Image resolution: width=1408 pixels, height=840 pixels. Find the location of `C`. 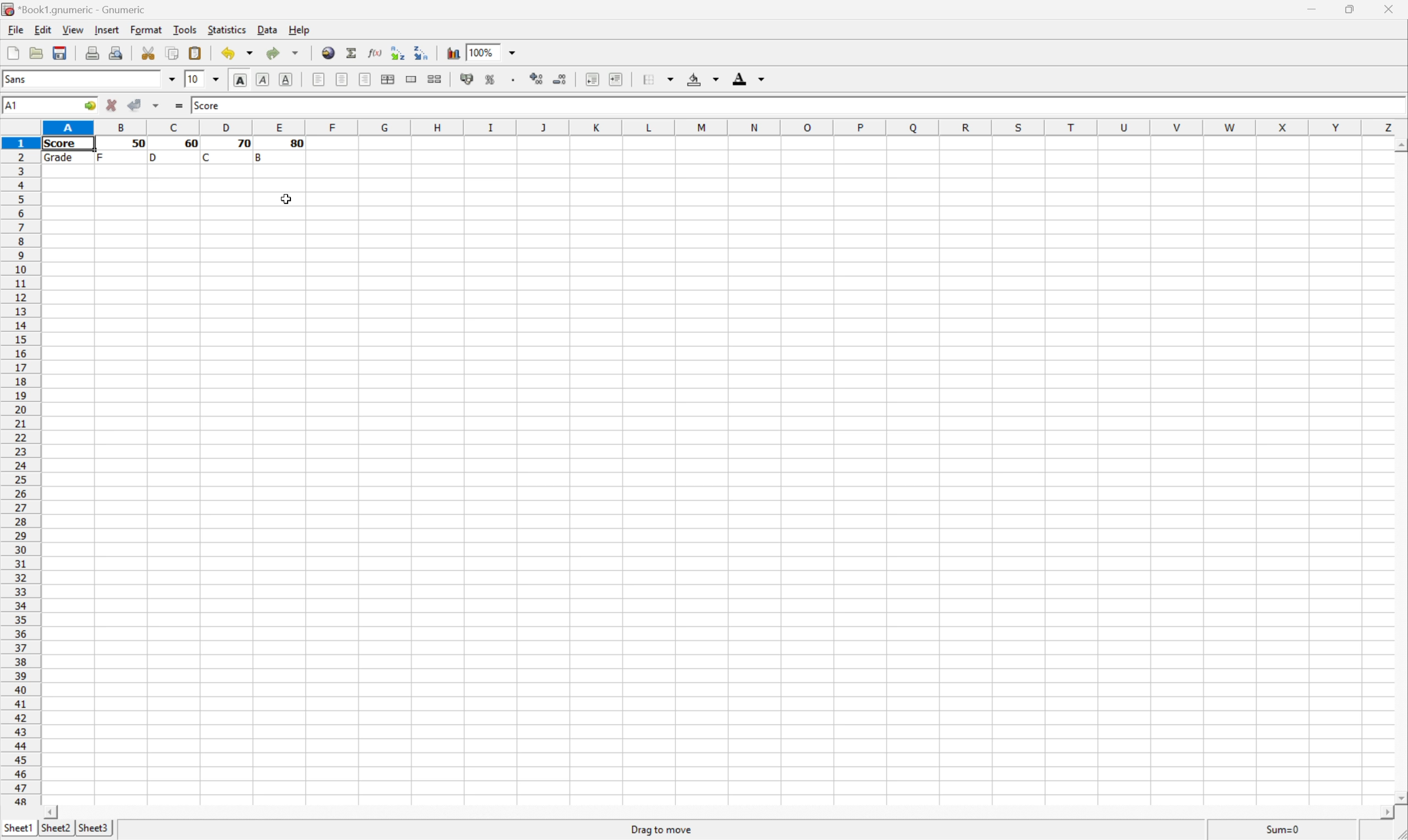

C is located at coordinates (208, 157).